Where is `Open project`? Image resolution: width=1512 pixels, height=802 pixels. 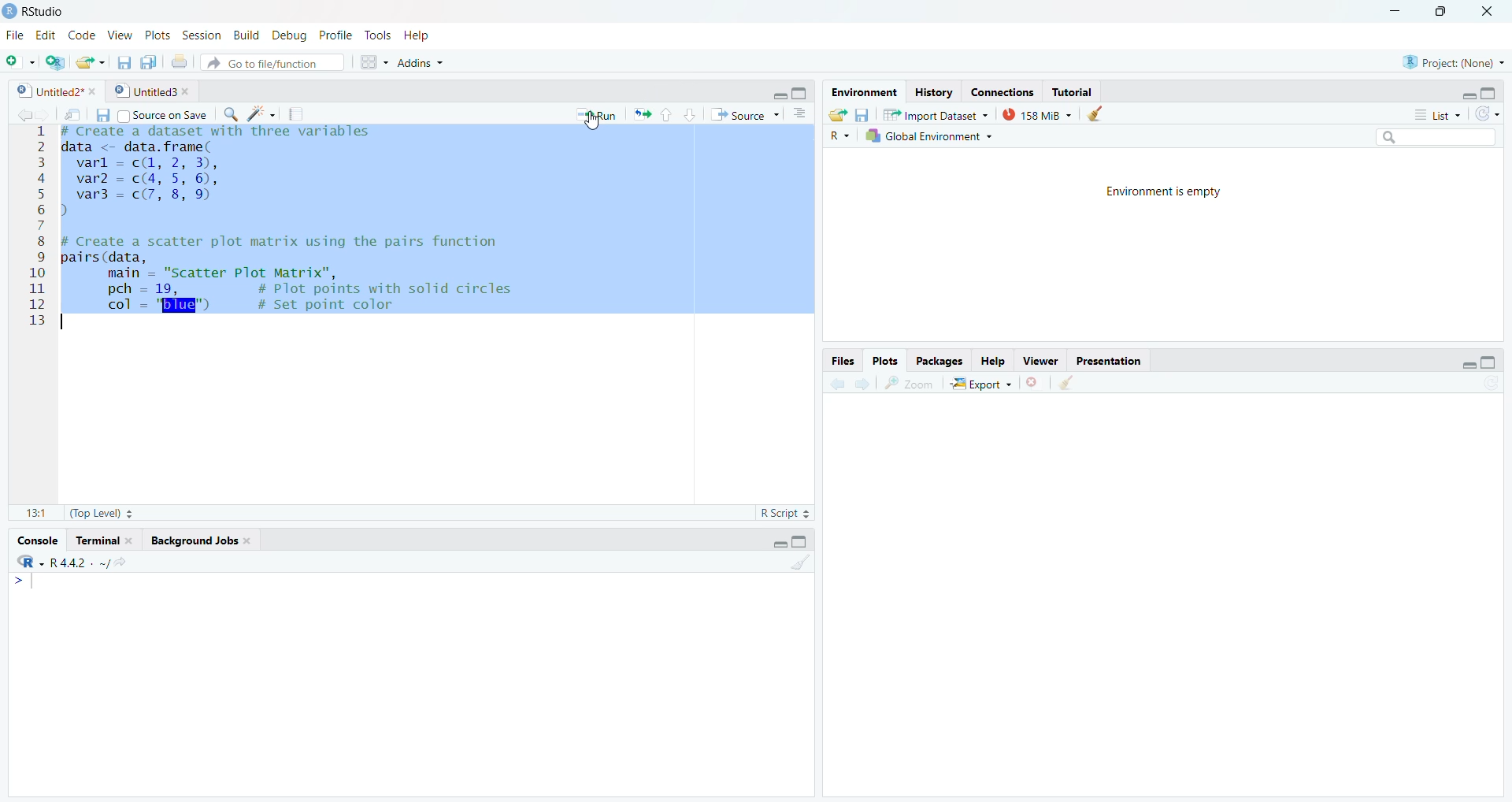 Open project is located at coordinates (91, 59).